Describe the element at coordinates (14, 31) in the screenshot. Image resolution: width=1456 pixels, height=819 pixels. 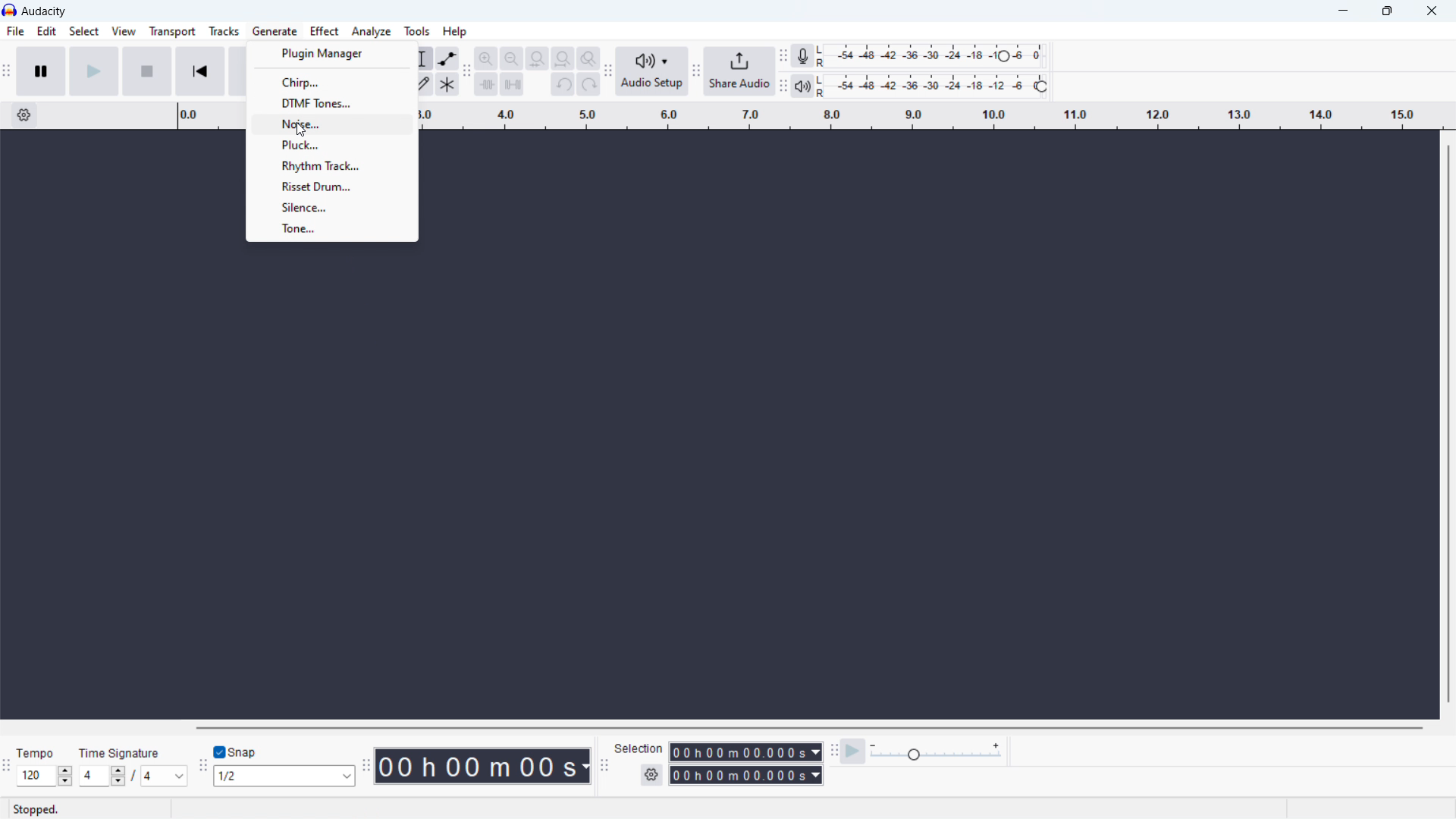
I see `file` at that location.